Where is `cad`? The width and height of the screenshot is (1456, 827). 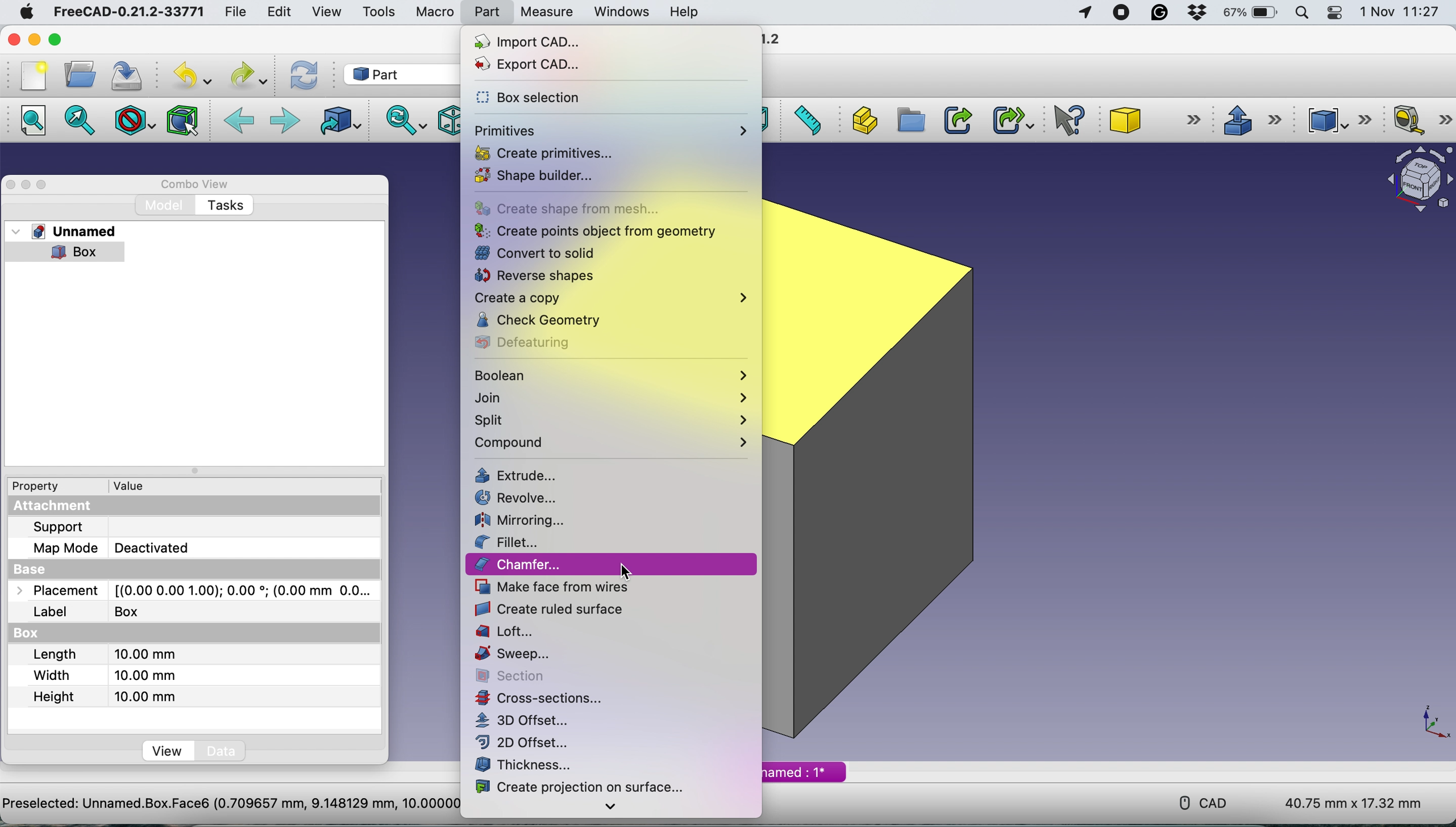
cad is located at coordinates (1197, 800).